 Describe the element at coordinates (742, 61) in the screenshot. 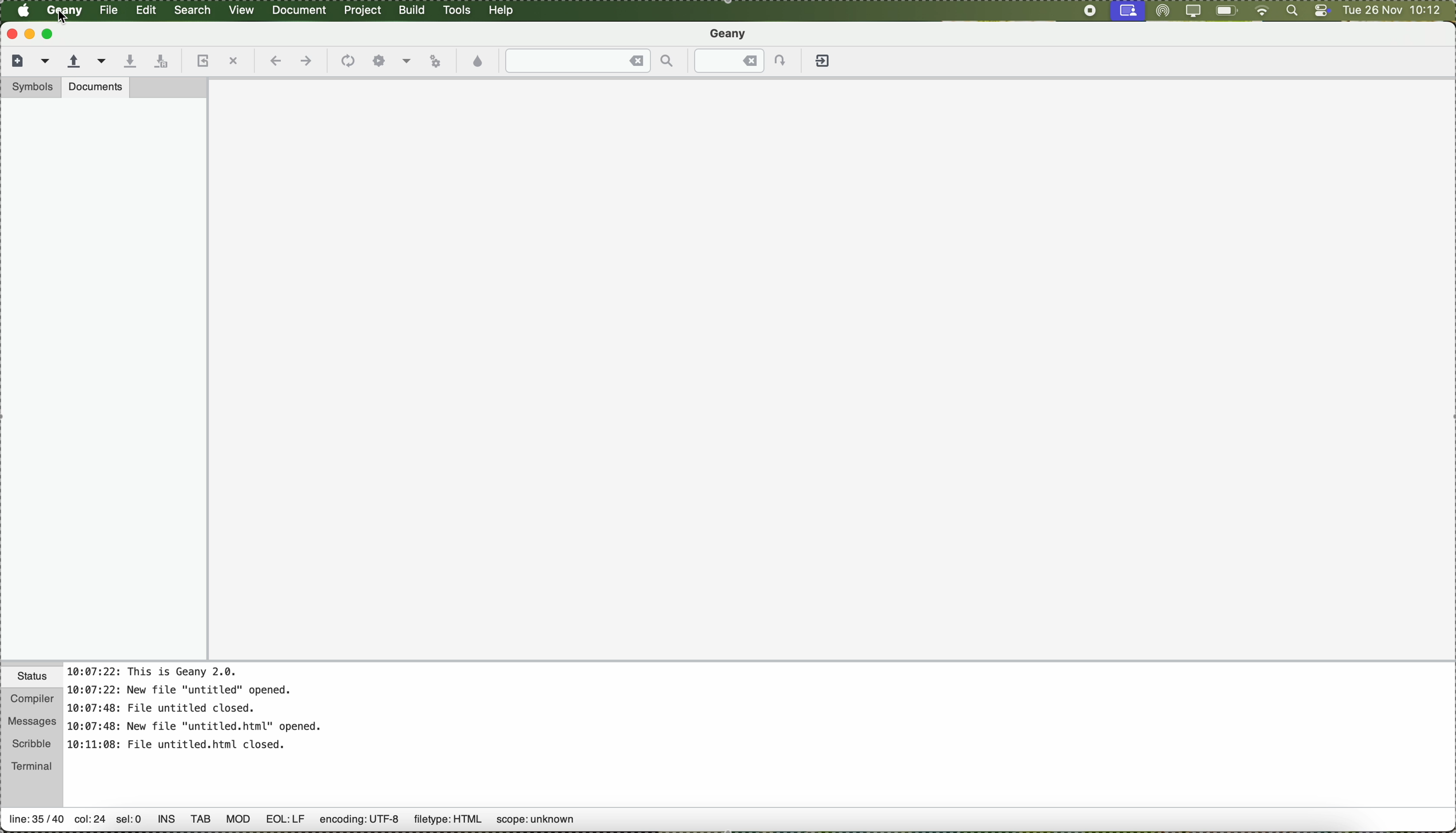

I see `jump to the entered line number` at that location.